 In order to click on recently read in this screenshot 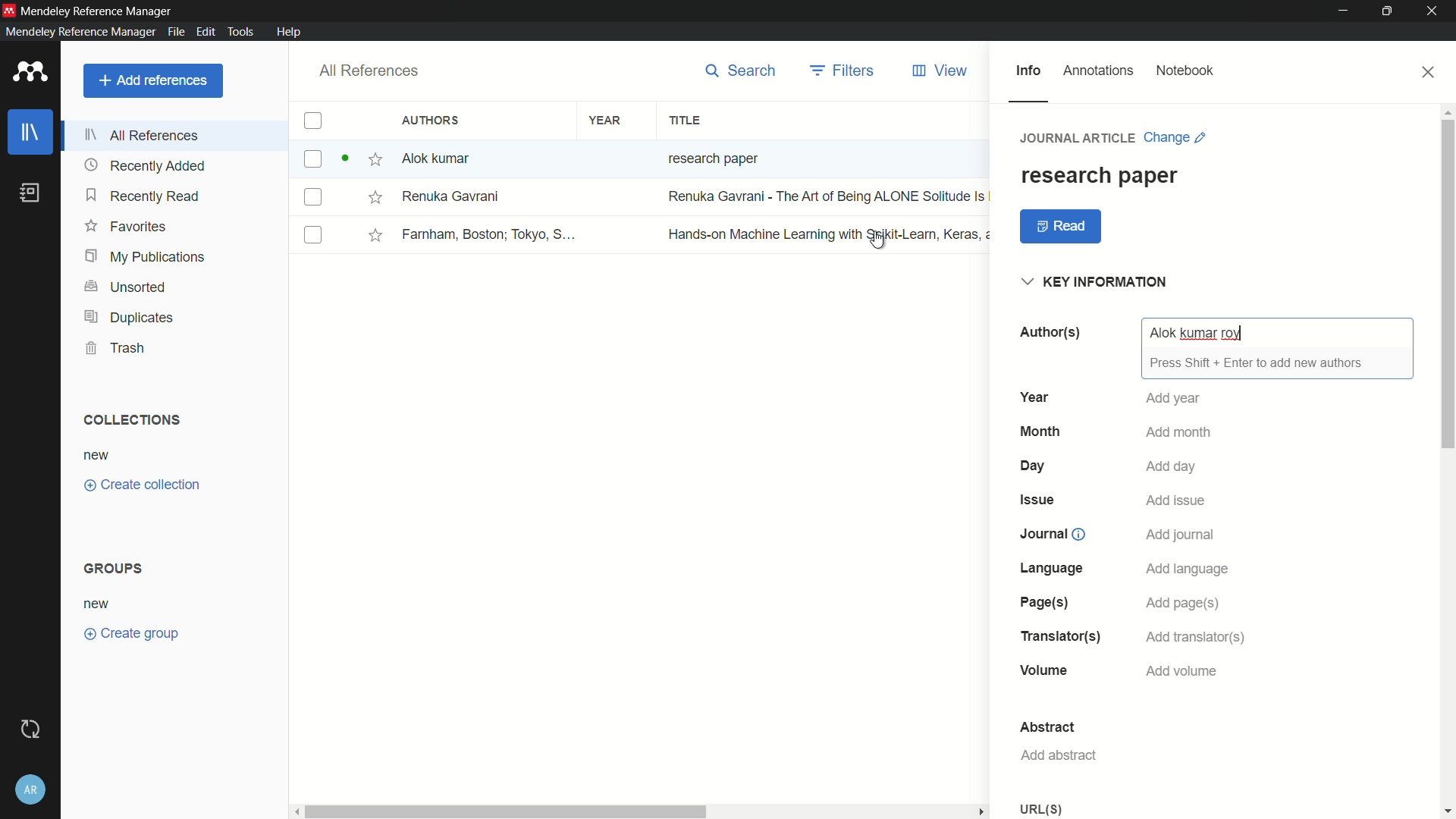, I will do `click(143, 195)`.